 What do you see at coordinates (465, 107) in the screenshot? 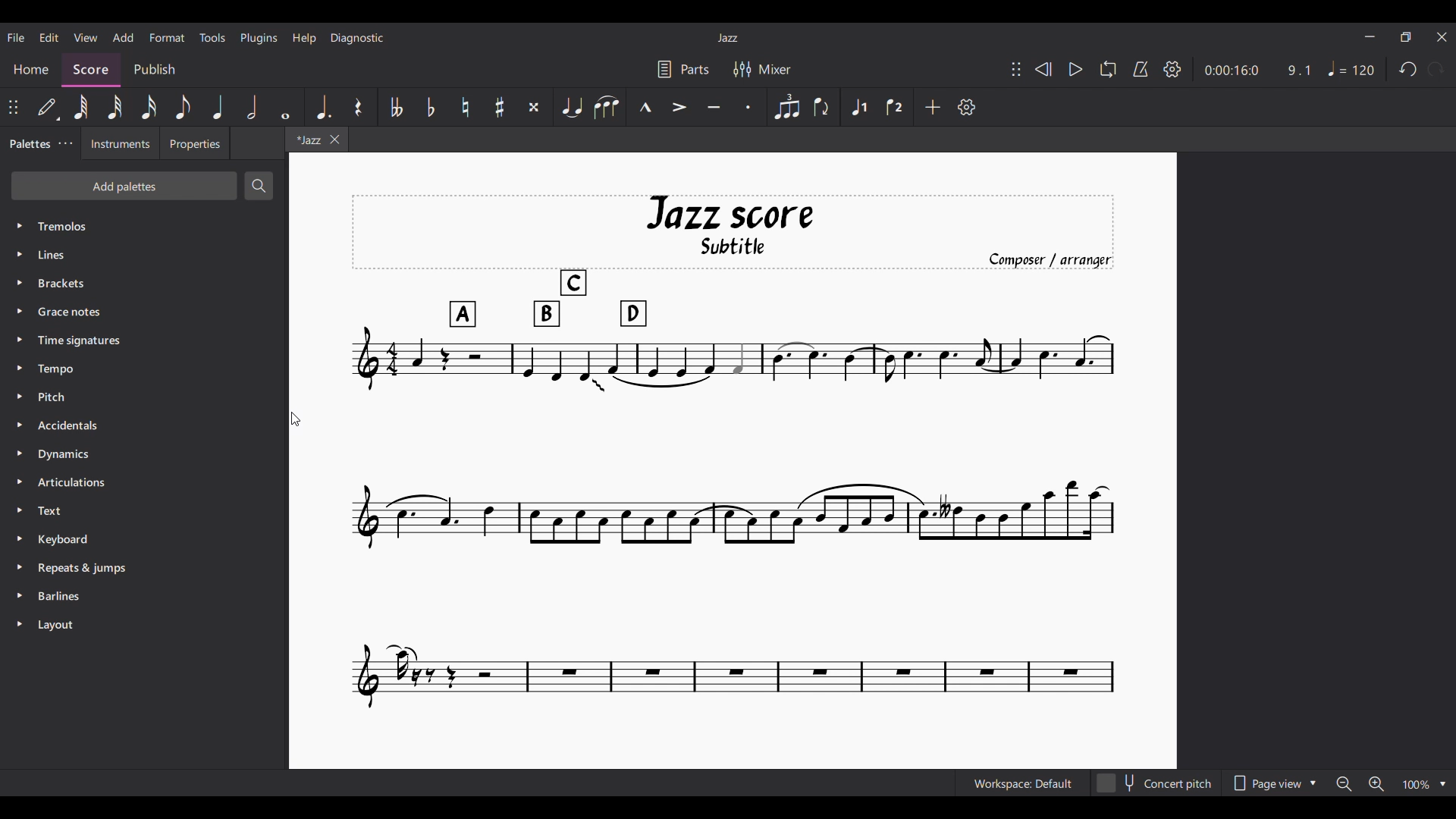
I see `Toggle natural` at bounding box center [465, 107].